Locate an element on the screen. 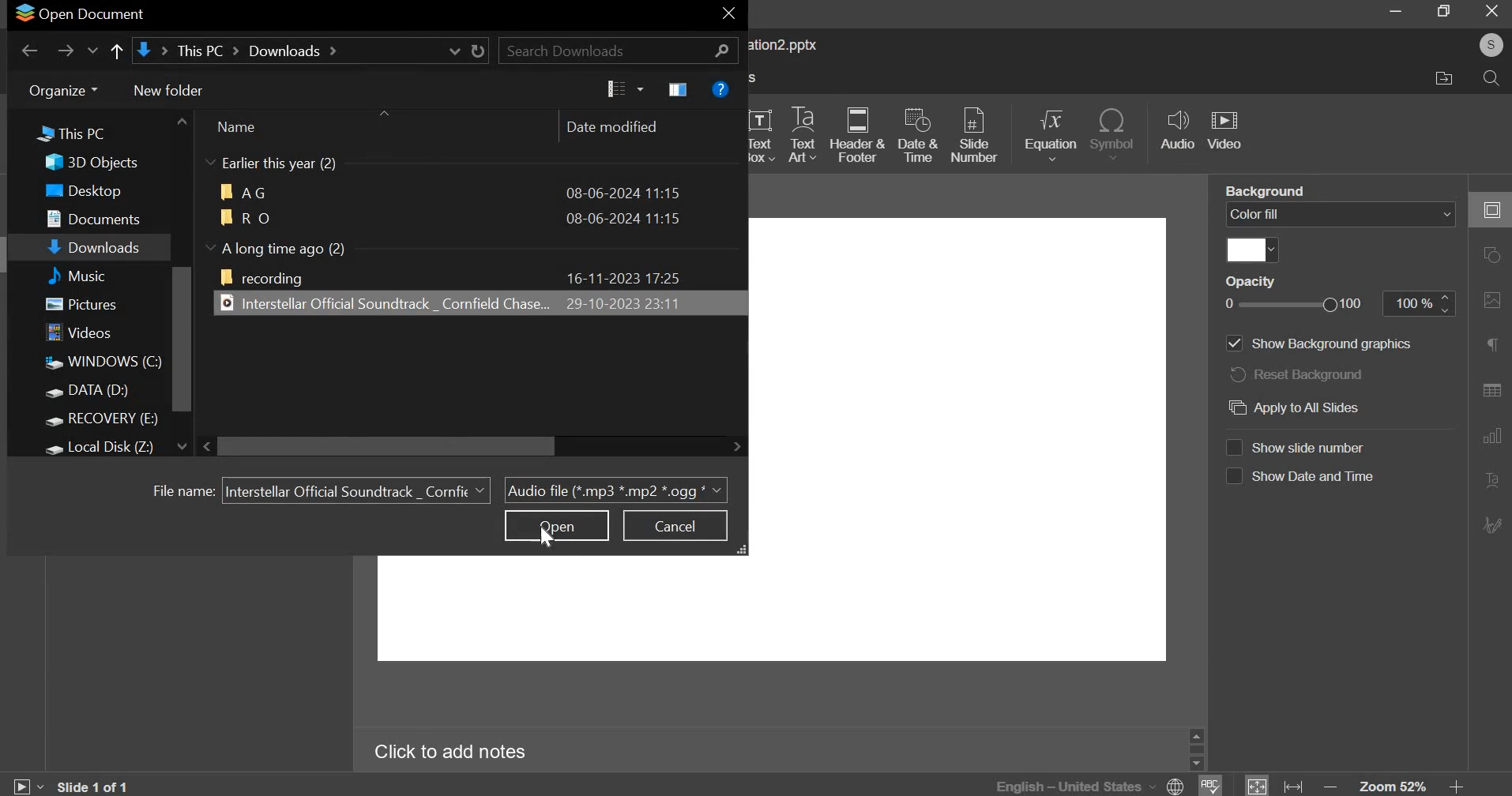 The width and height of the screenshot is (1512, 796). active slide out of total slides is located at coordinates (94, 785).